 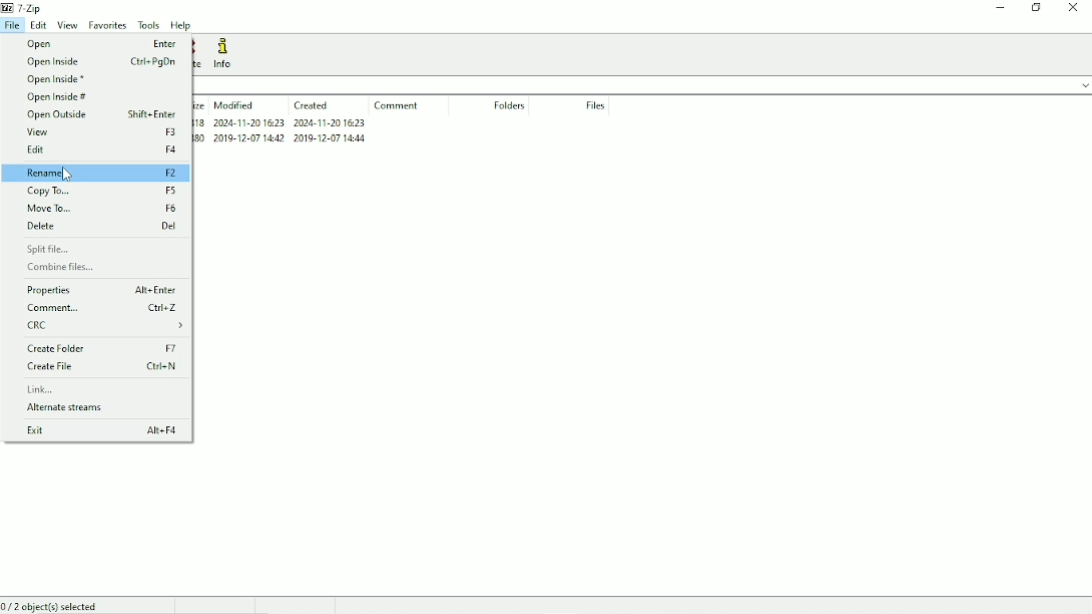 What do you see at coordinates (226, 54) in the screenshot?
I see `Info` at bounding box center [226, 54].